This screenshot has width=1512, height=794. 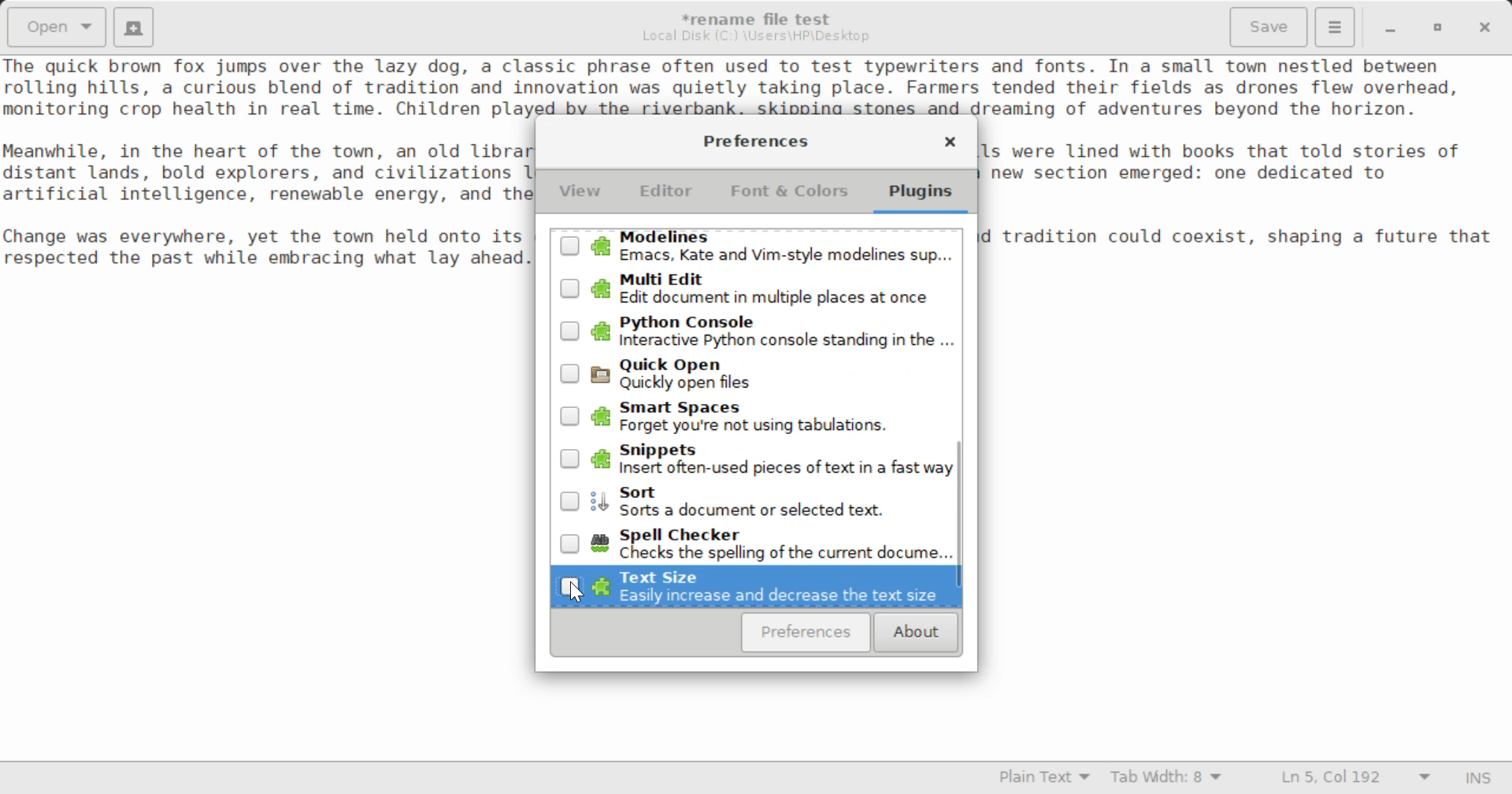 I want to click on File Name , so click(x=761, y=17).